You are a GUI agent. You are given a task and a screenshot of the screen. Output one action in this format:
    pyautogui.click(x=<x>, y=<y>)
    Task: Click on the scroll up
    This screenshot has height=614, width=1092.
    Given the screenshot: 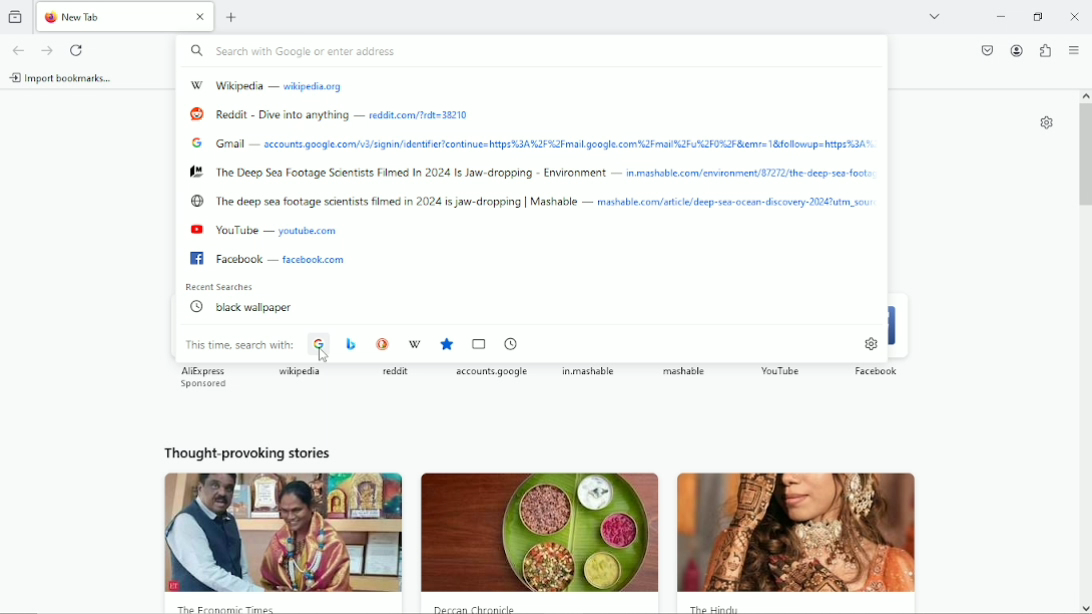 What is the action you would take?
    pyautogui.click(x=1084, y=93)
    